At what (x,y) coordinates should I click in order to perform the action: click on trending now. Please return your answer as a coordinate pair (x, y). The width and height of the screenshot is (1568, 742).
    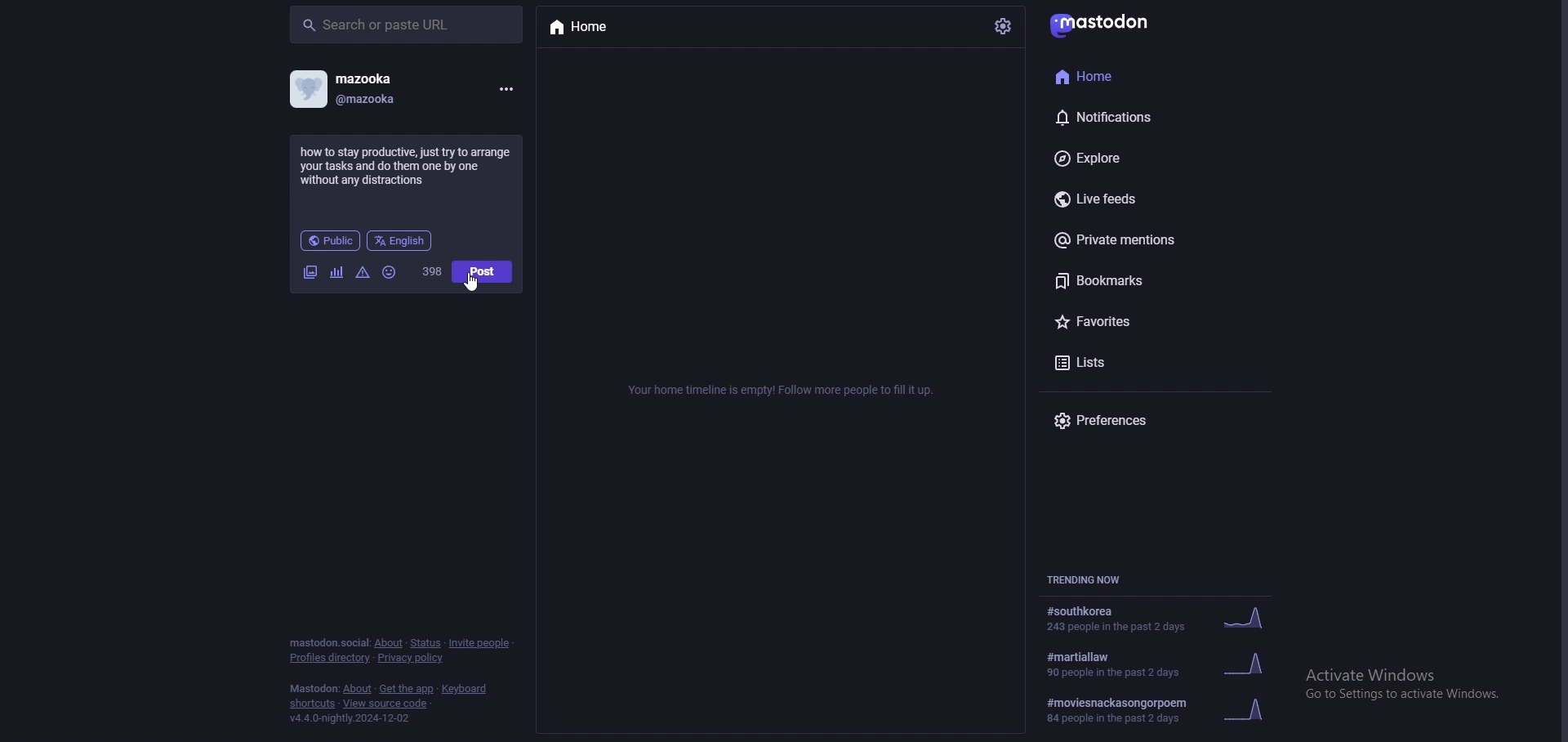
    Looking at the image, I should click on (1089, 579).